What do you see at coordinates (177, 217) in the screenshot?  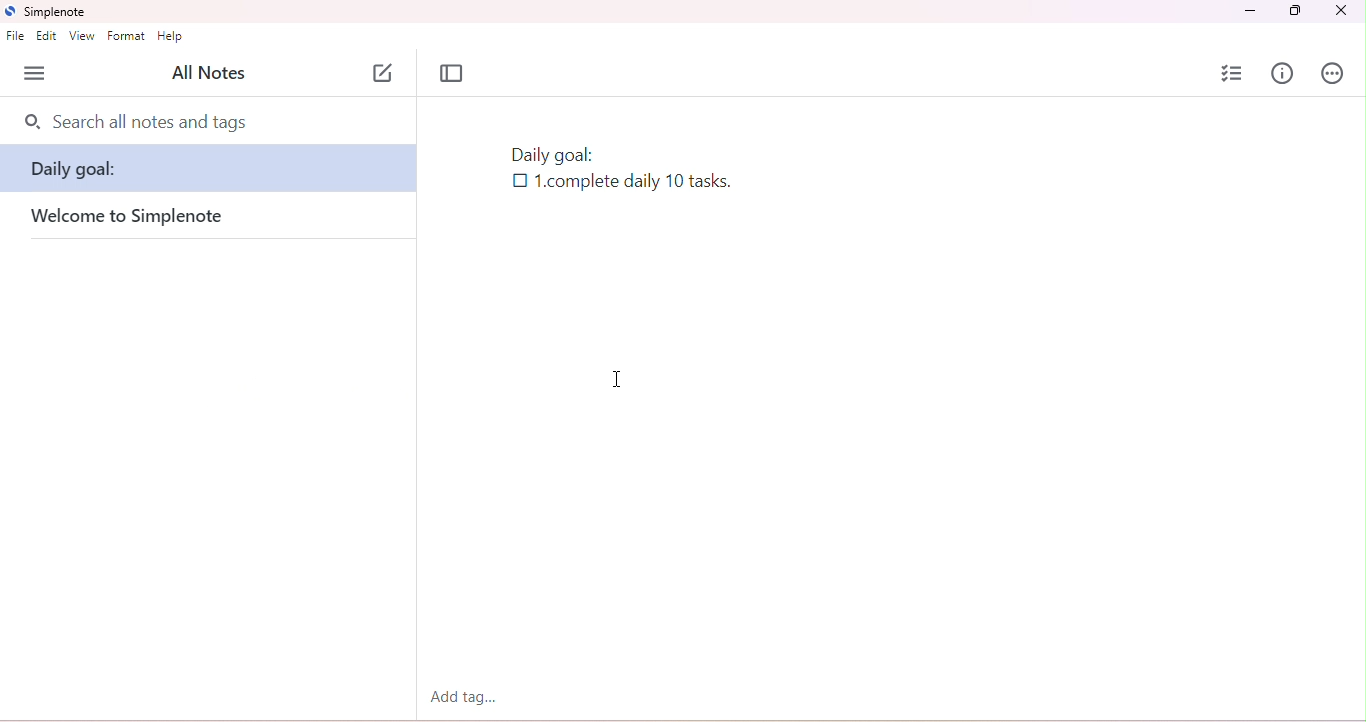 I see `welcome to simple note` at bounding box center [177, 217].